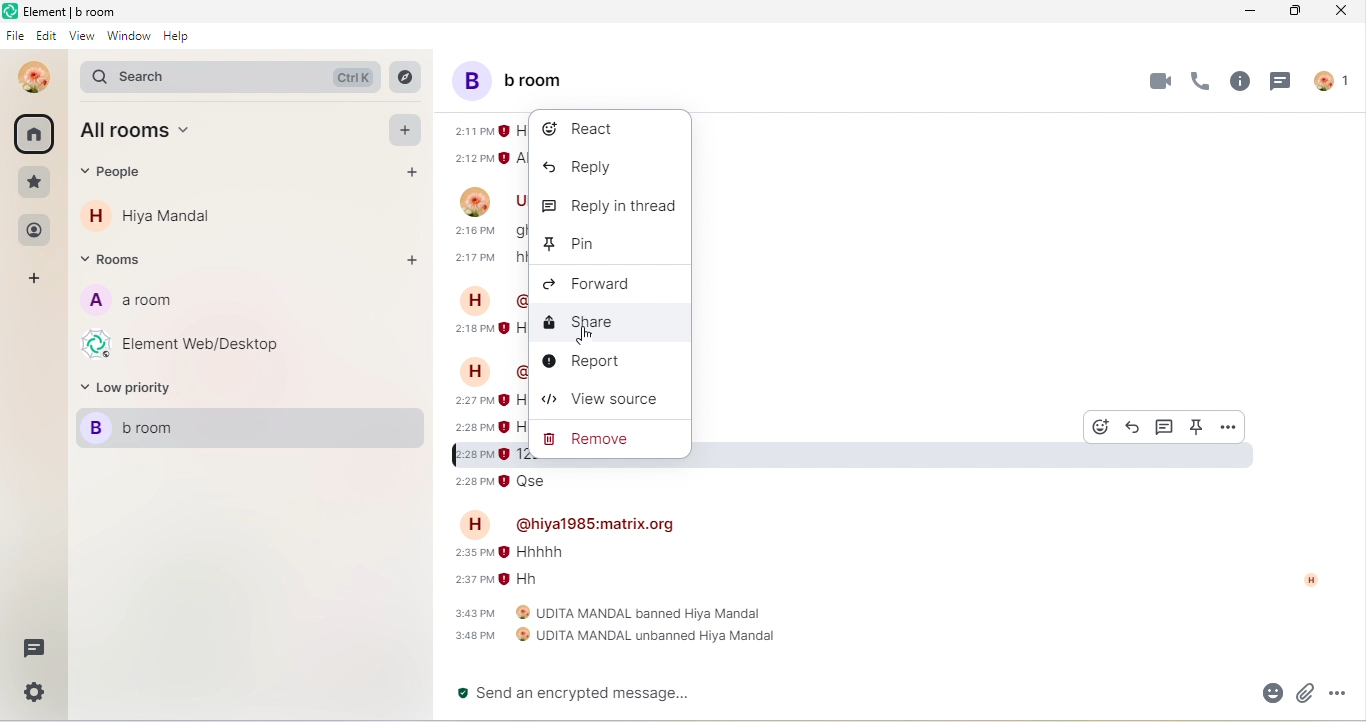 This screenshot has height=722, width=1366. What do you see at coordinates (1291, 12) in the screenshot?
I see `maximize` at bounding box center [1291, 12].